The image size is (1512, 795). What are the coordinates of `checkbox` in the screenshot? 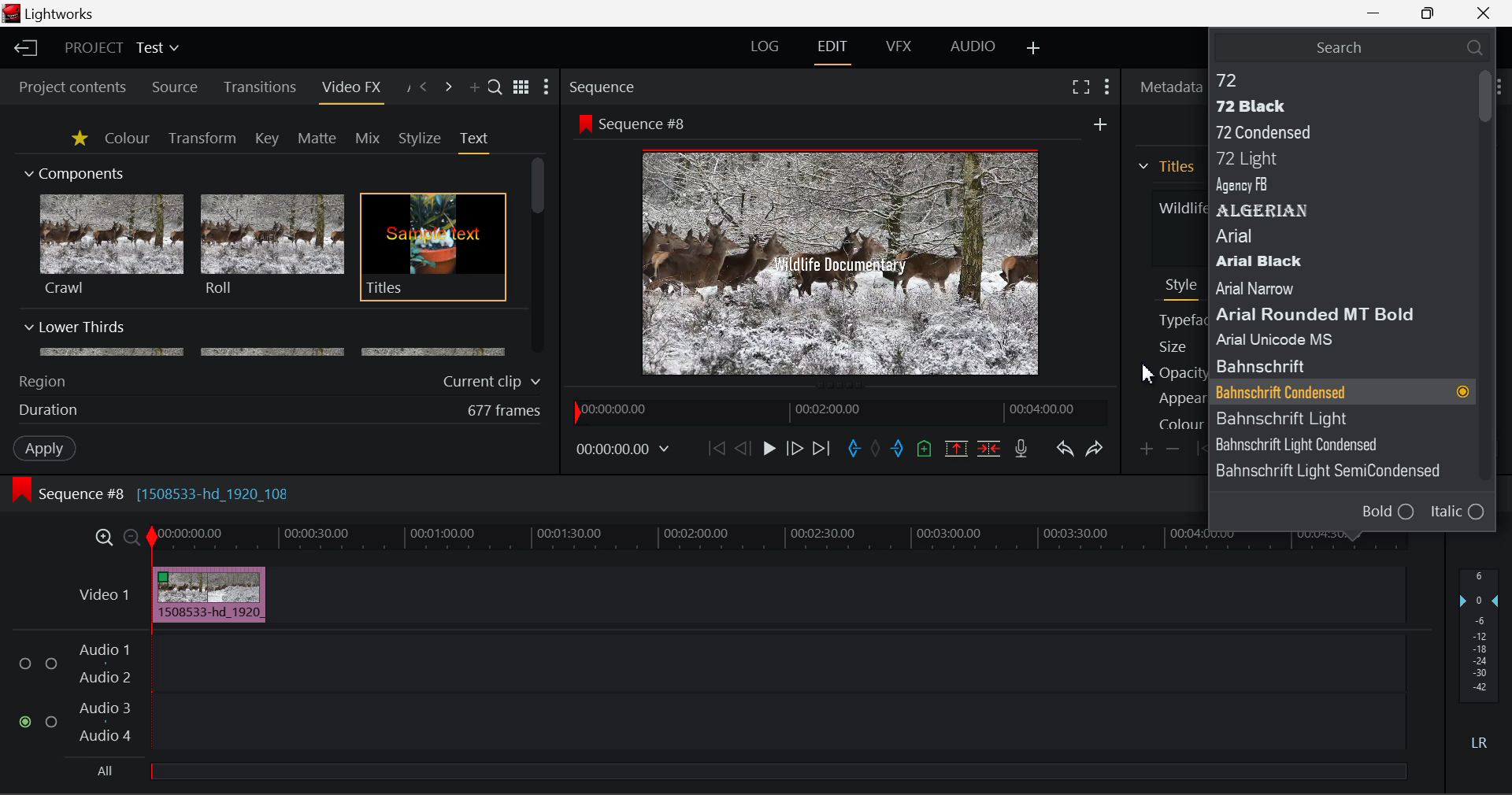 It's located at (28, 664).